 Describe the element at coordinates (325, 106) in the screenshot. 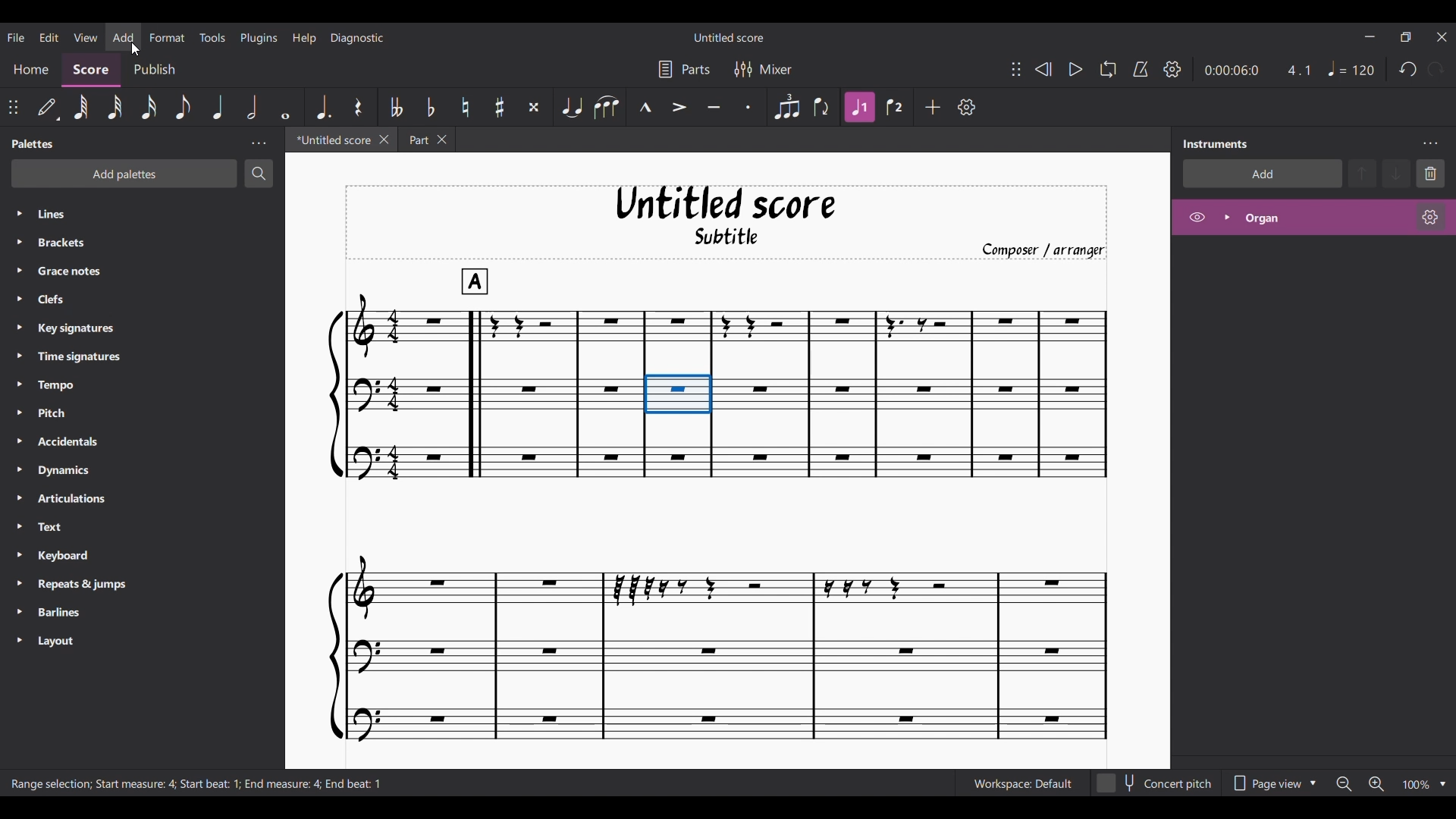

I see `Augmentation dot` at that location.